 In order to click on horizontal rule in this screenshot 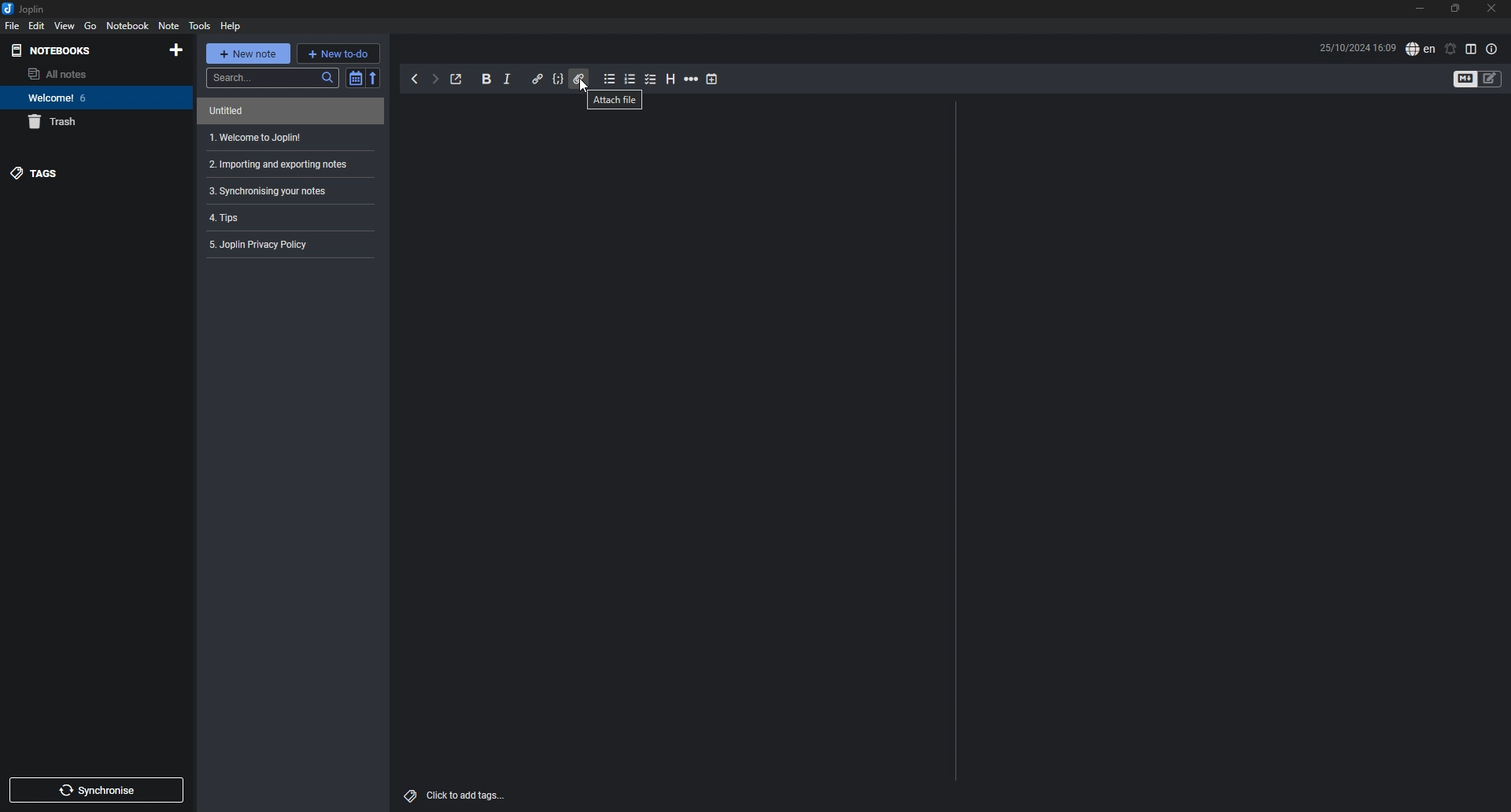, I will do `click(692, 79)`.